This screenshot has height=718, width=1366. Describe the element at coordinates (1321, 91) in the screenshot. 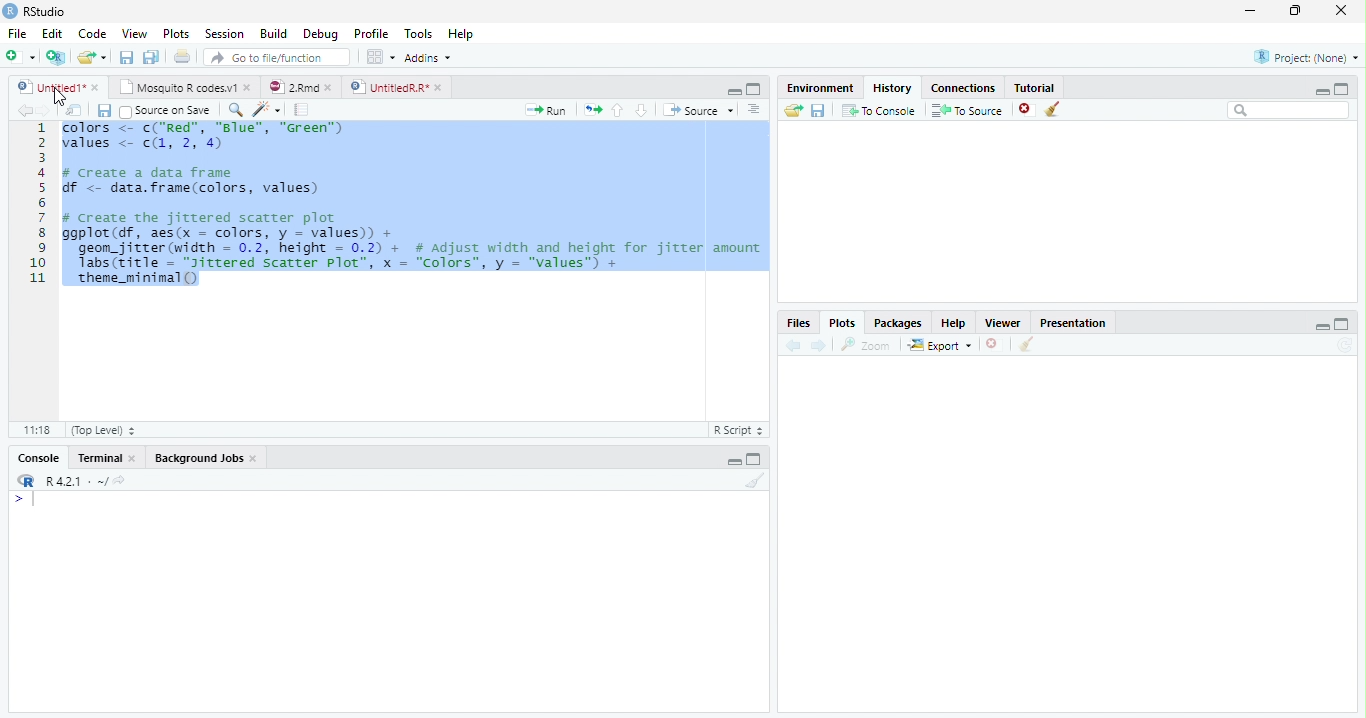

I see `Minimize` at that location.